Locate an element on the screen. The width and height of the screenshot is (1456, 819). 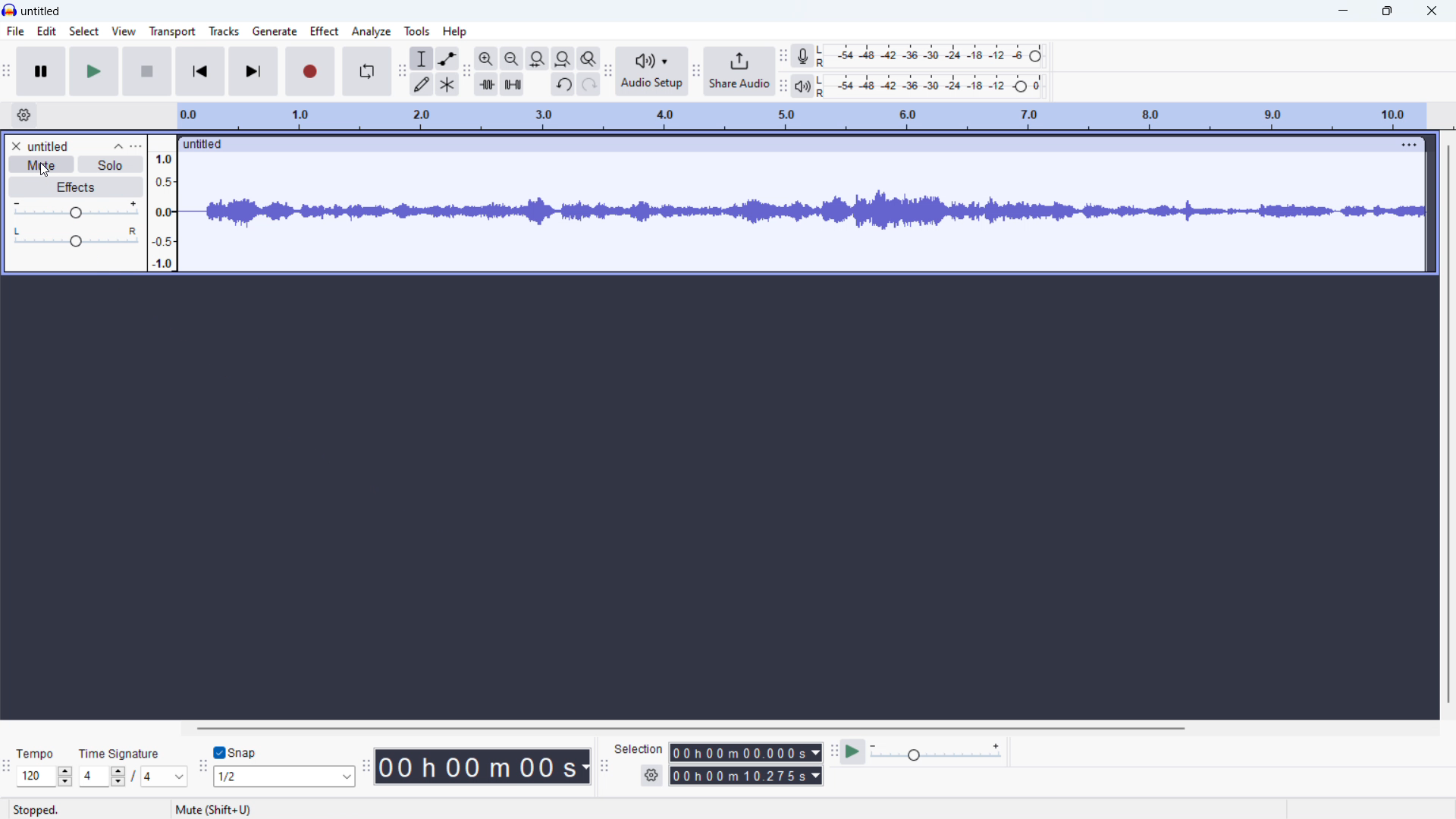
track control panel menu is located at coordinates (136, 146).